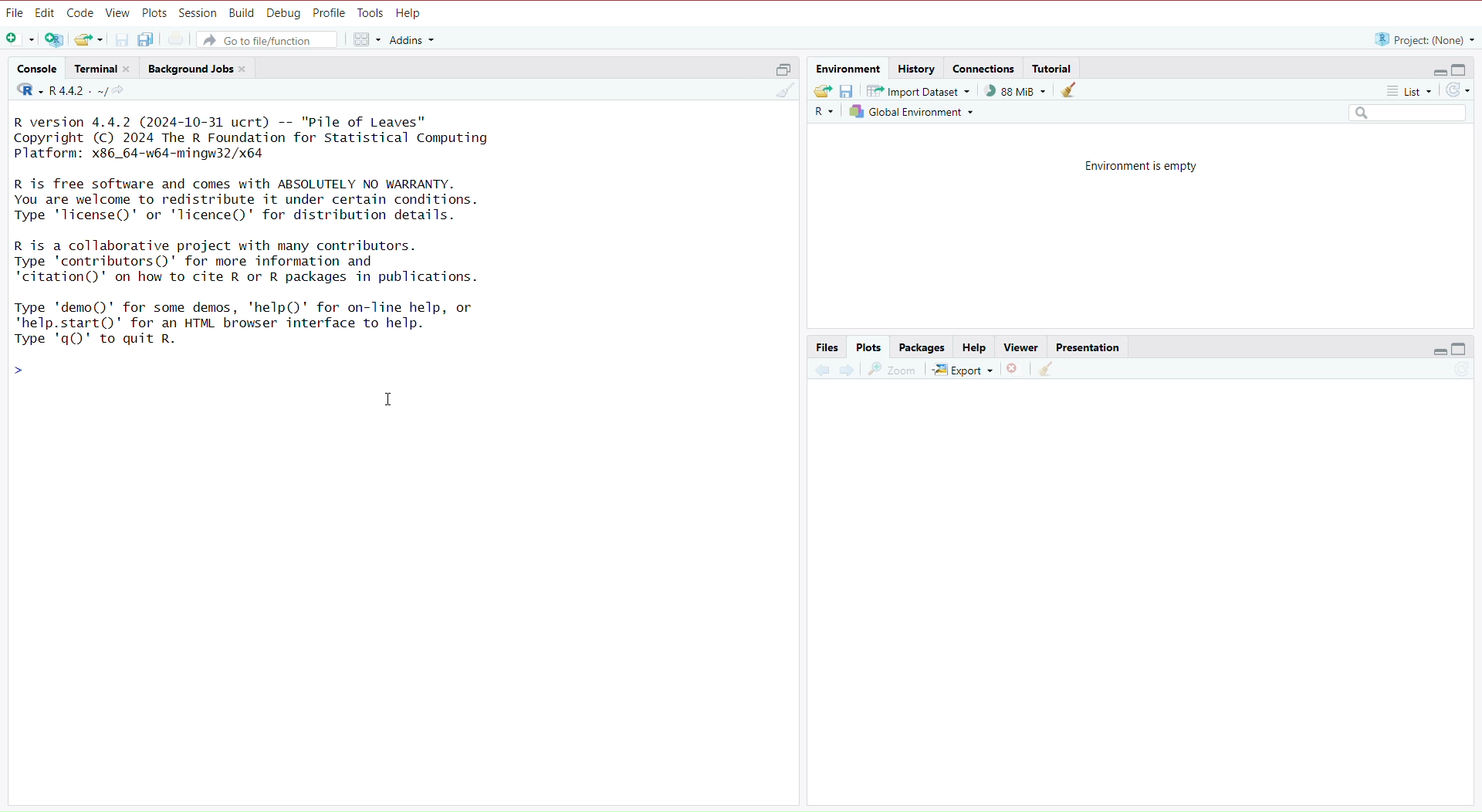 Image resolution: width=1482 pixels, height=812 pixels. Describe the element at coordinates (284, 14) in the screenshot. I see `debug` at that location.